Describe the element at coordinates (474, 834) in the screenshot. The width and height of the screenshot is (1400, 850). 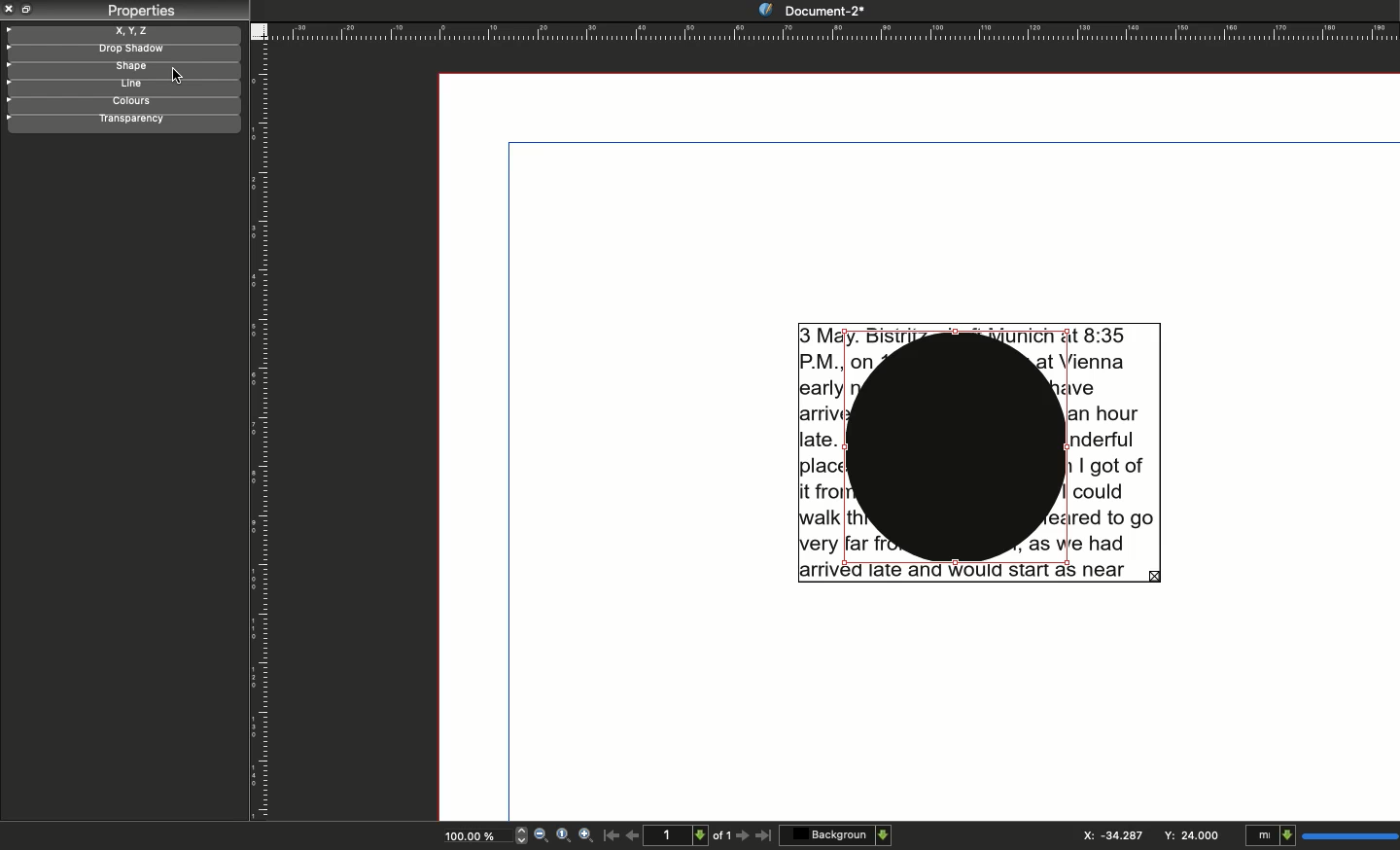
I see `Zoom` at that location.